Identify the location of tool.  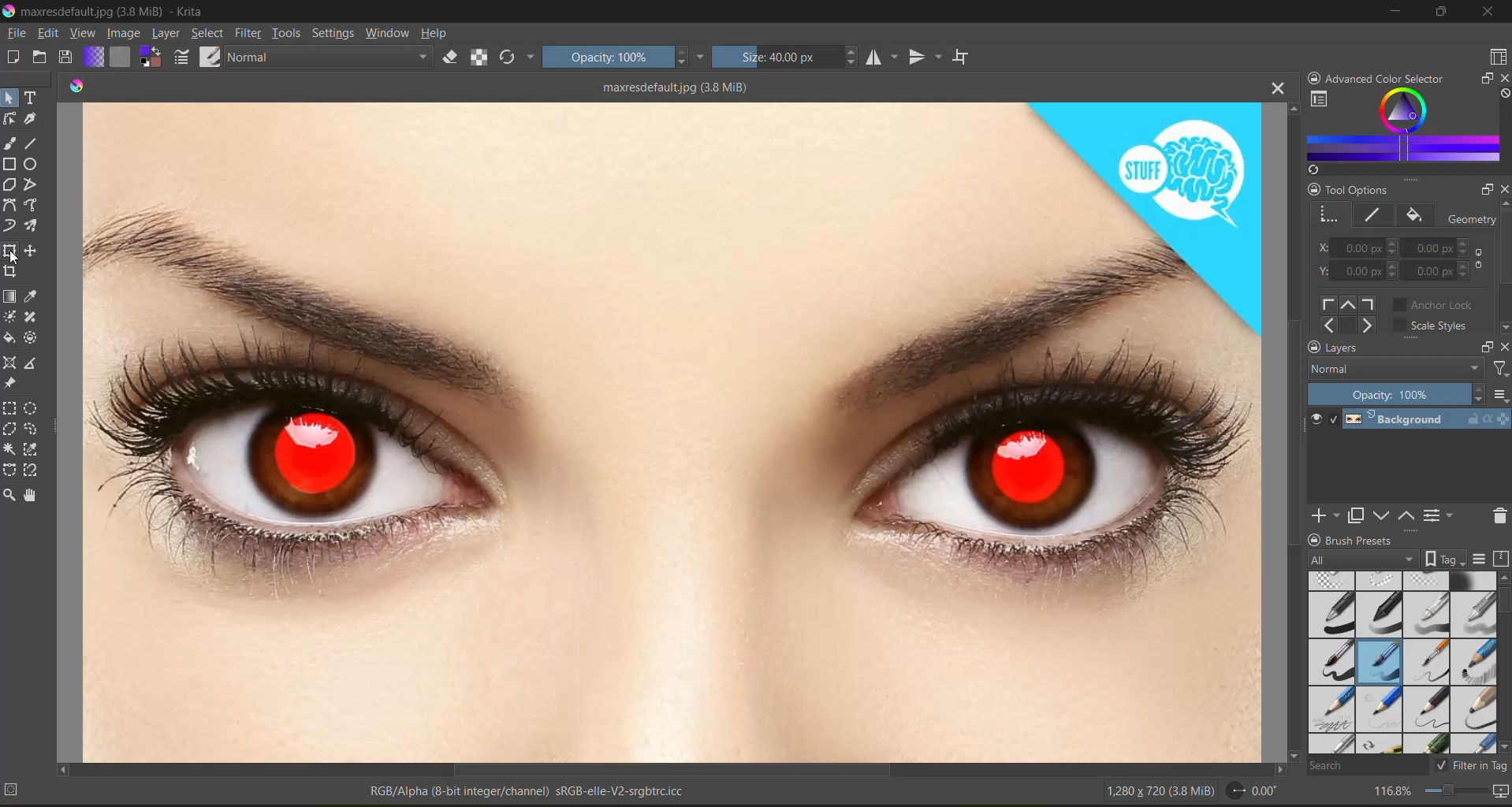
(11, 164).